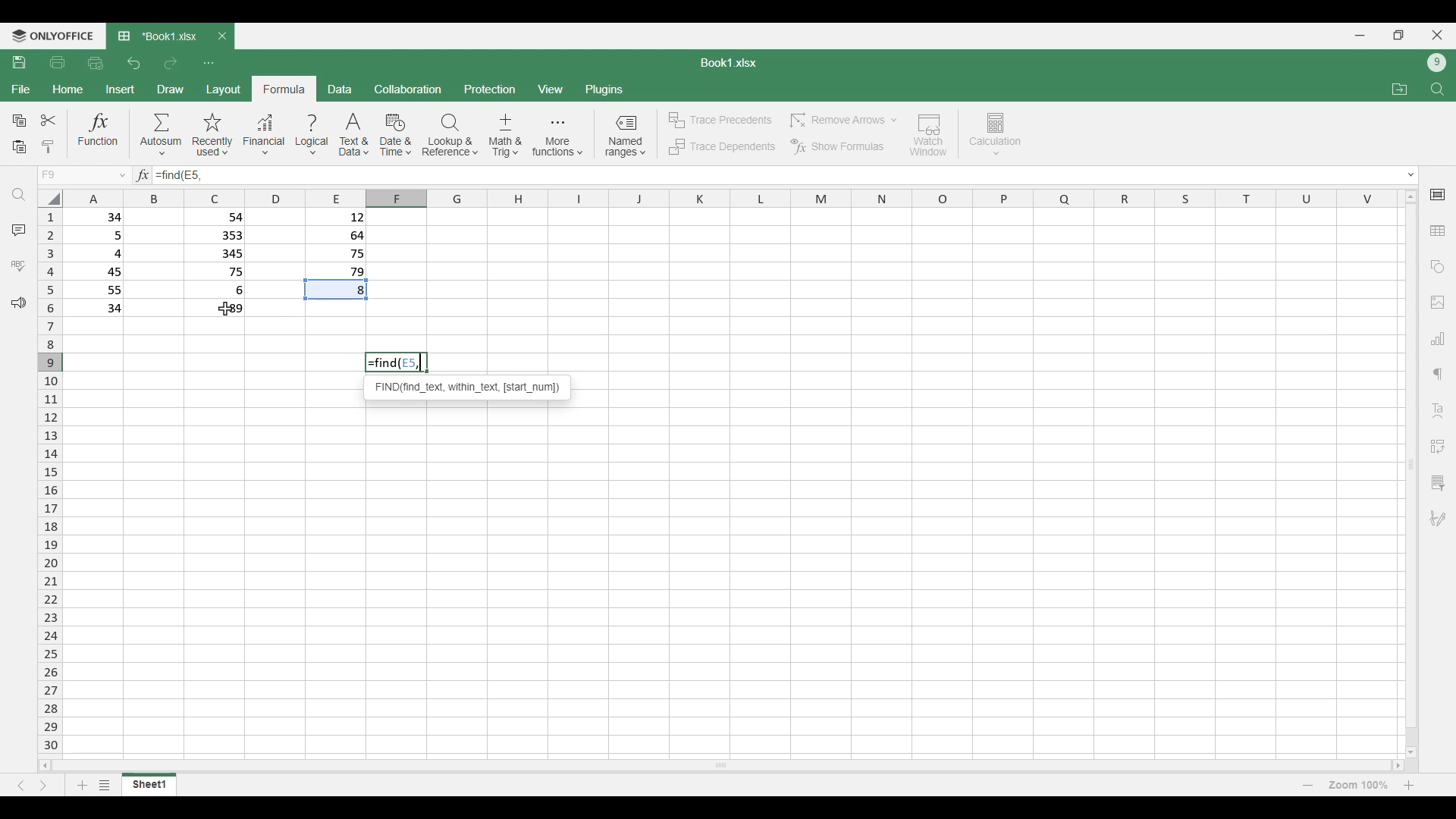 Image resolution: width=1456 pixels, height=819 pixels. I want to click on Current sheet, so click(149, 784).